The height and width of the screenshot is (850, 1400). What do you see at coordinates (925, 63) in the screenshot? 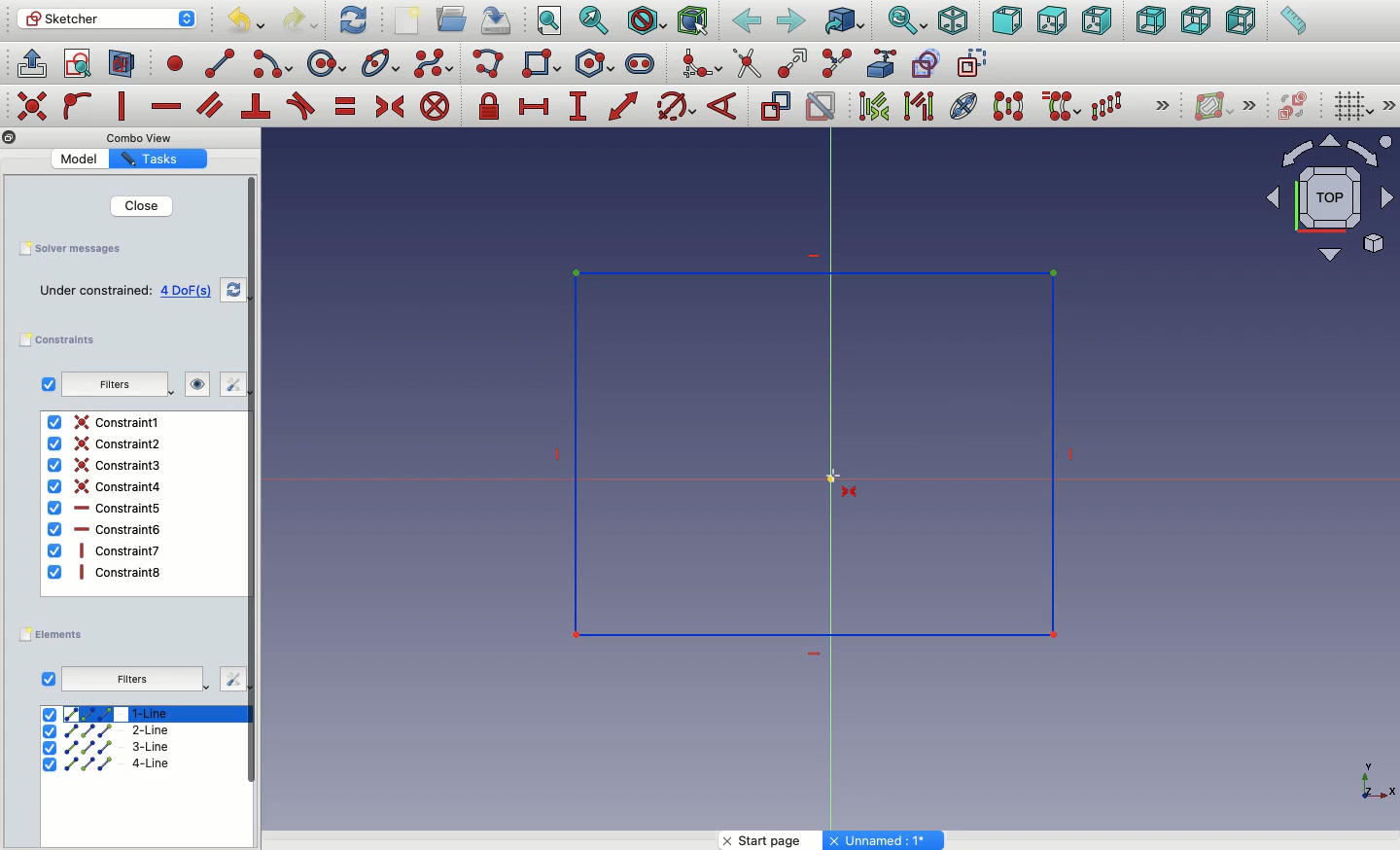
I see `Carbon copy` at bounding box center [925, 63].